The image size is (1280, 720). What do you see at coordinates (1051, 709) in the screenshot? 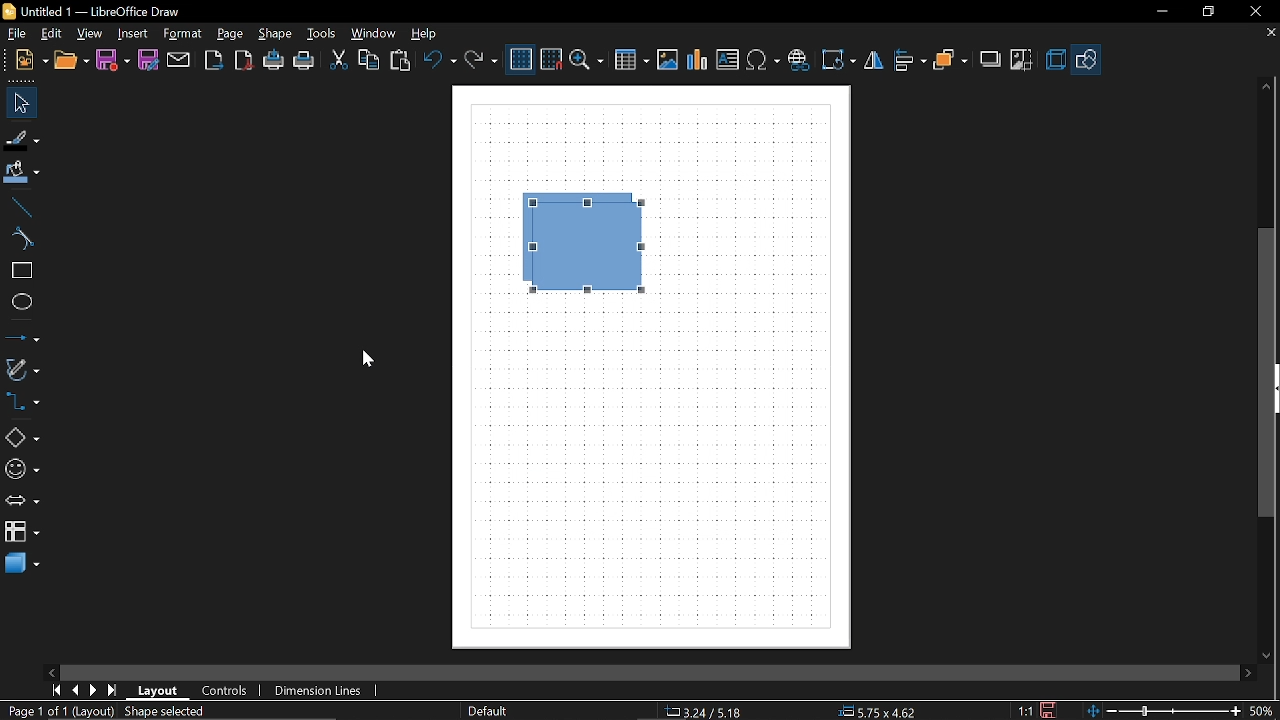
I see `Save` at bounding box center [1051, 709].